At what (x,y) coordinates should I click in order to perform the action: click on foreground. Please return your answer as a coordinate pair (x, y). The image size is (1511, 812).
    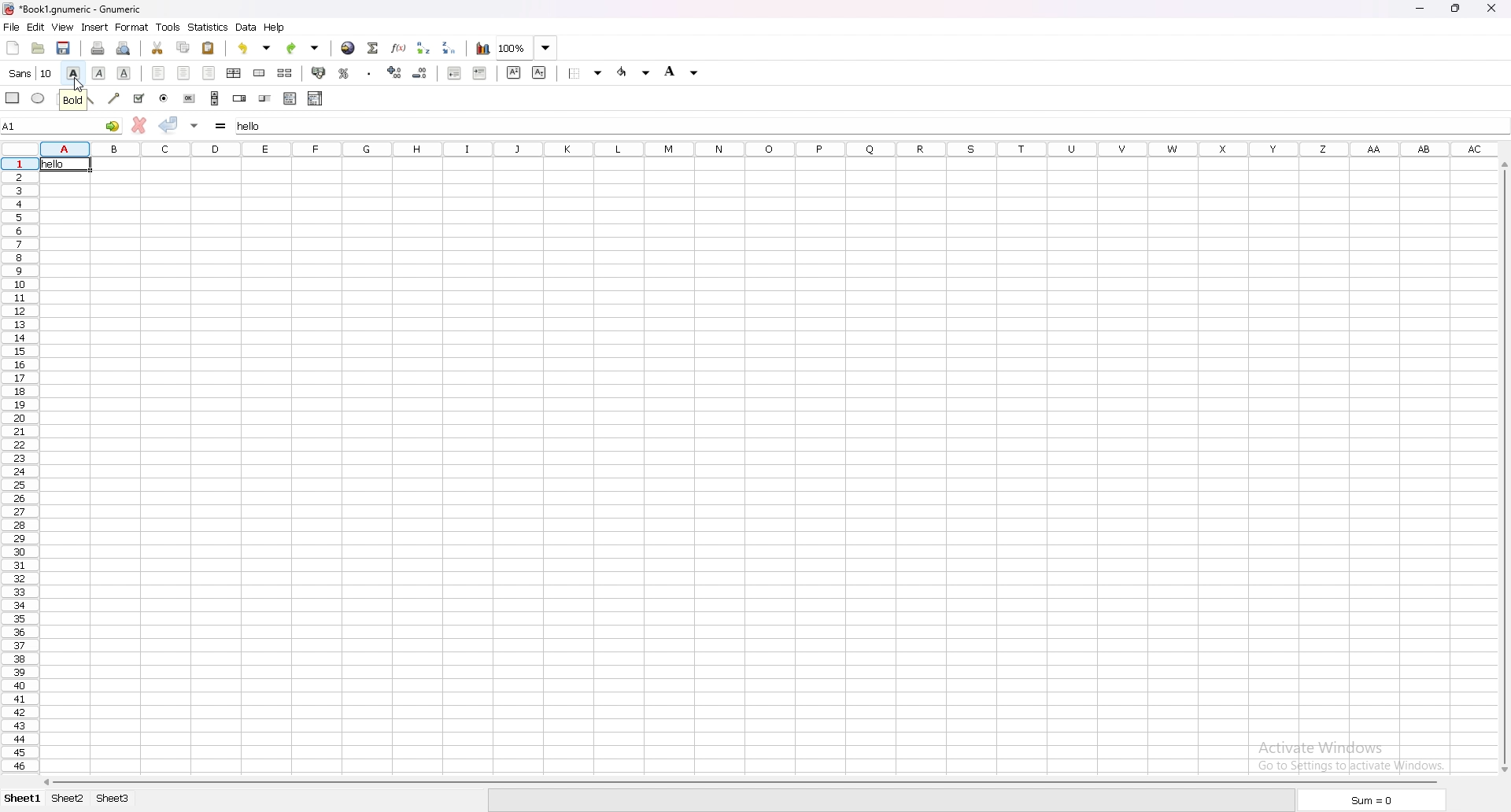
    Looking at the image, I should click on (683, 70).